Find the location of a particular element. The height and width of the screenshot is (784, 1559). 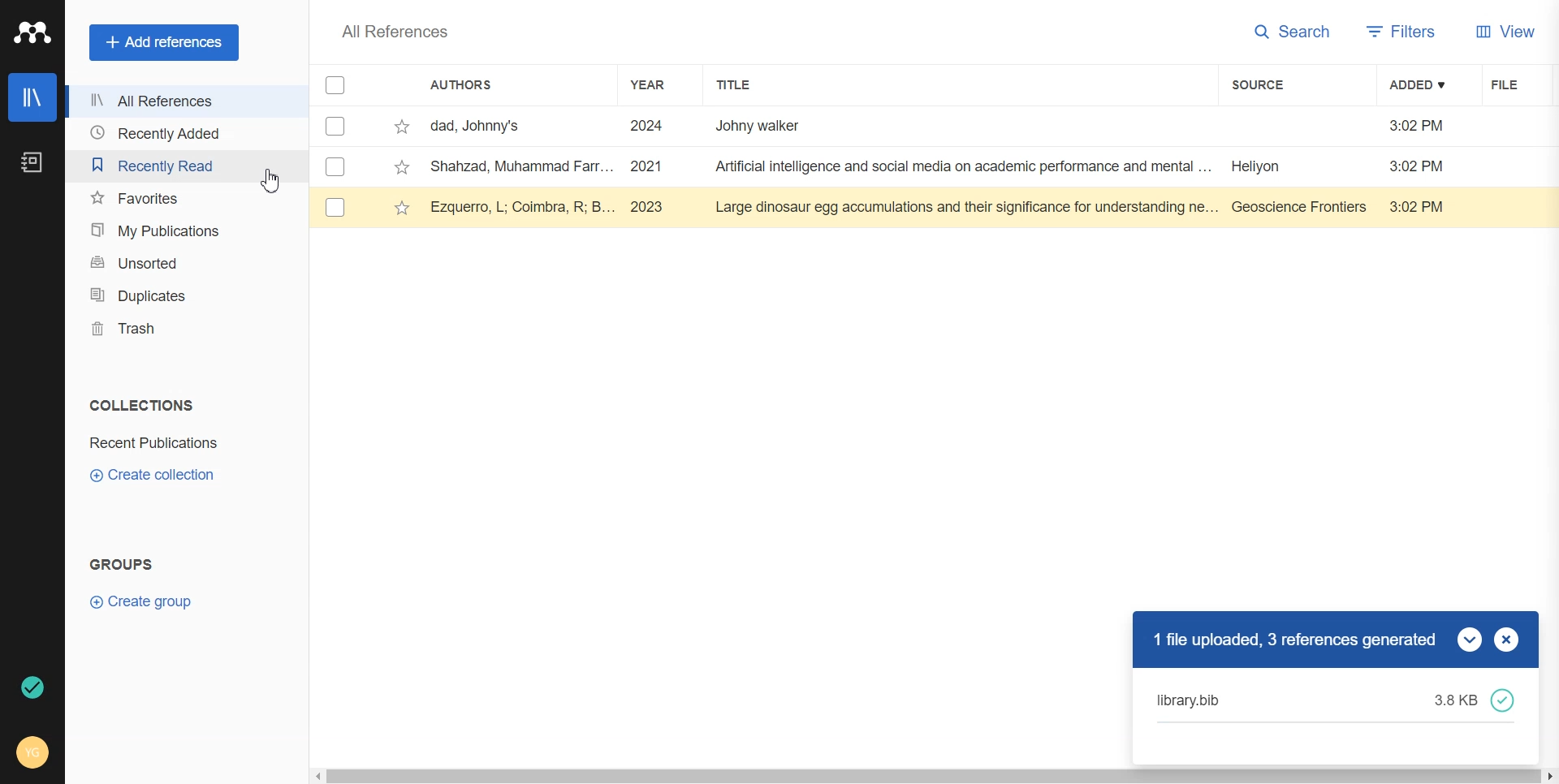

Create Group is located at coordinates (144, 601).